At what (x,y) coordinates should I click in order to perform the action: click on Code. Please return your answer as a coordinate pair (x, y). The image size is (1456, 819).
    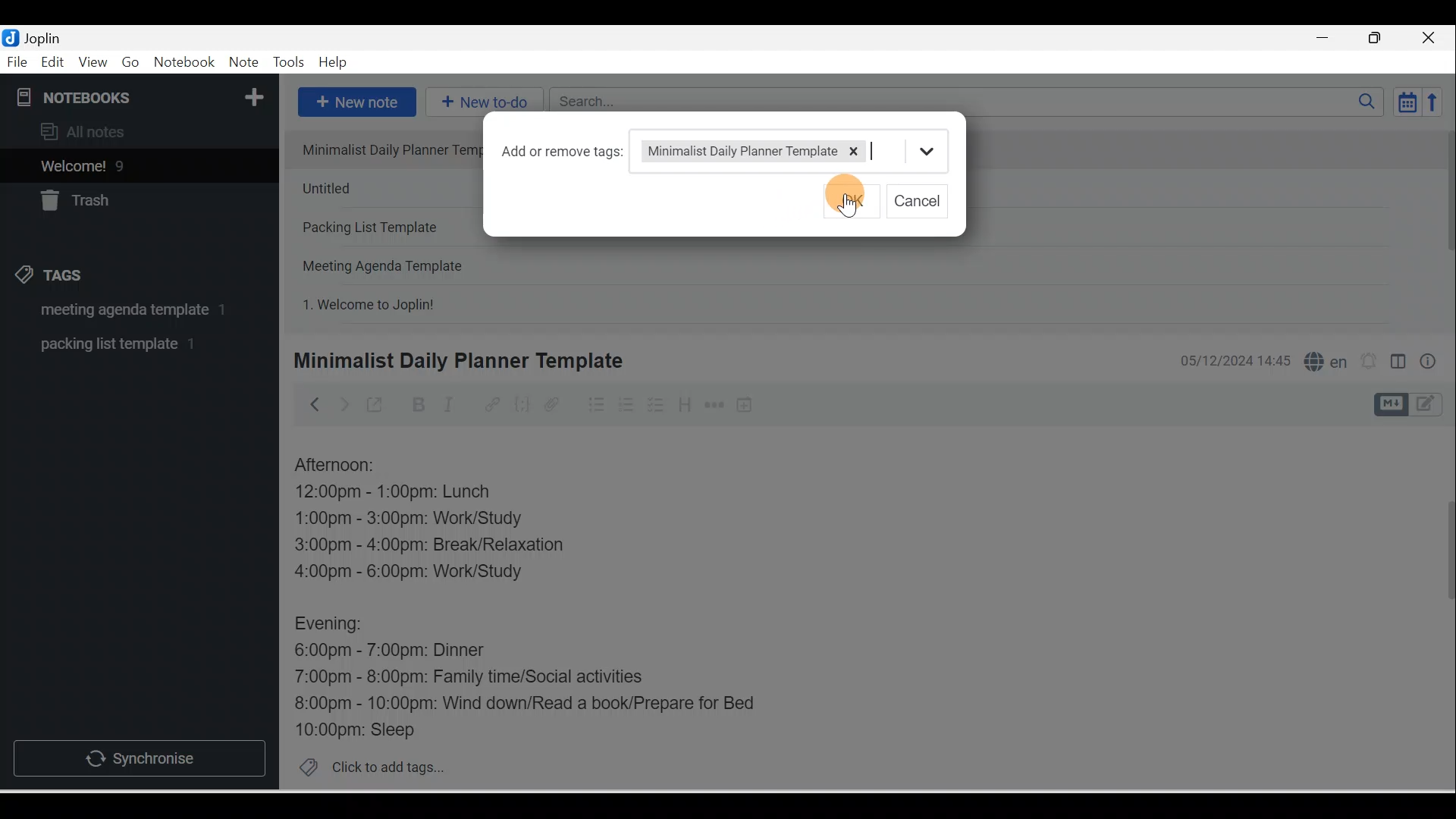
    Looking at the image, I should click on (522, 406).